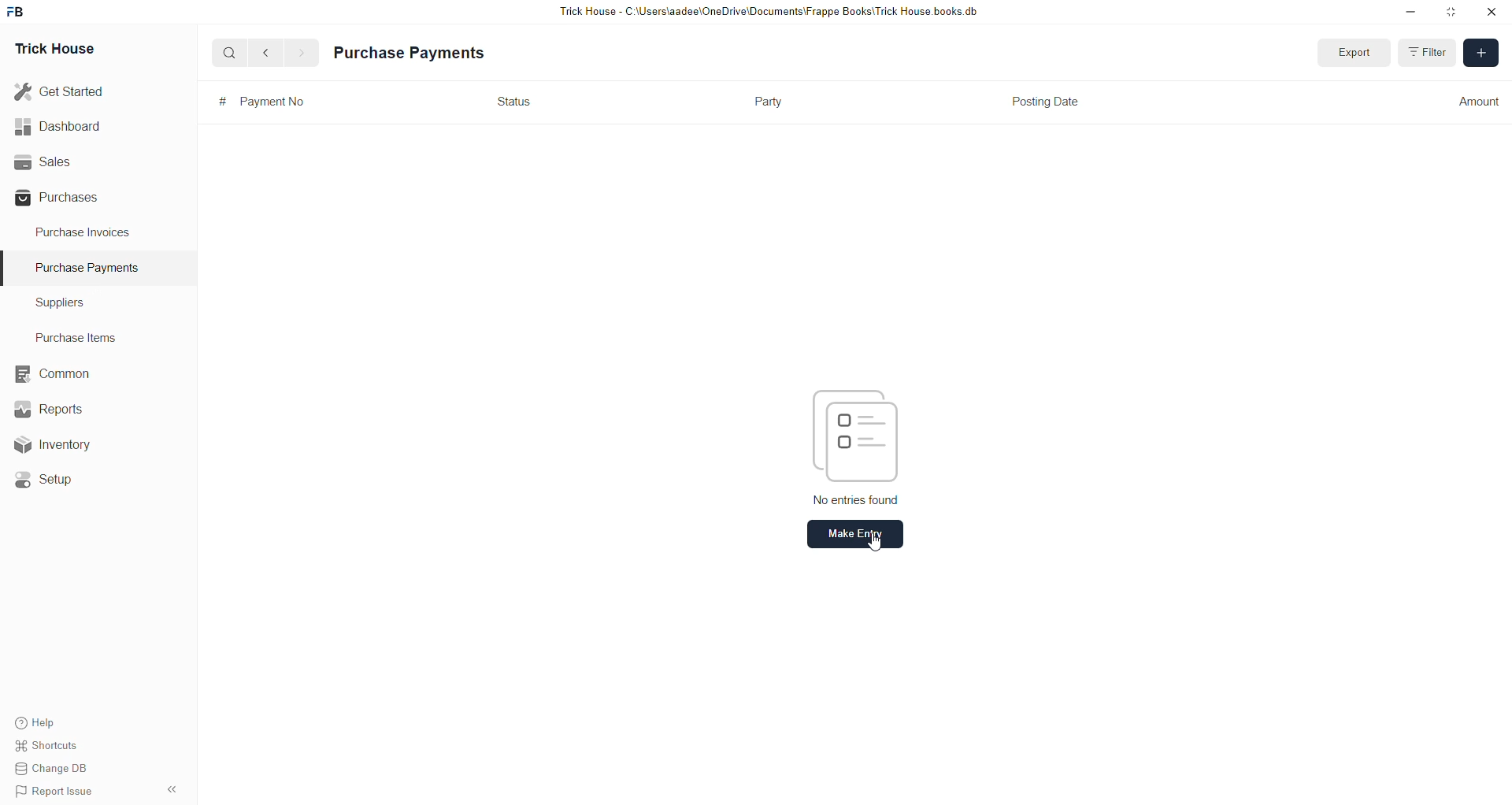 This screenshot has width=1512, height=805. What do you see at coordinates (50, 373) in the screenshot?
I see `Common` at bounding box center [50, 373].